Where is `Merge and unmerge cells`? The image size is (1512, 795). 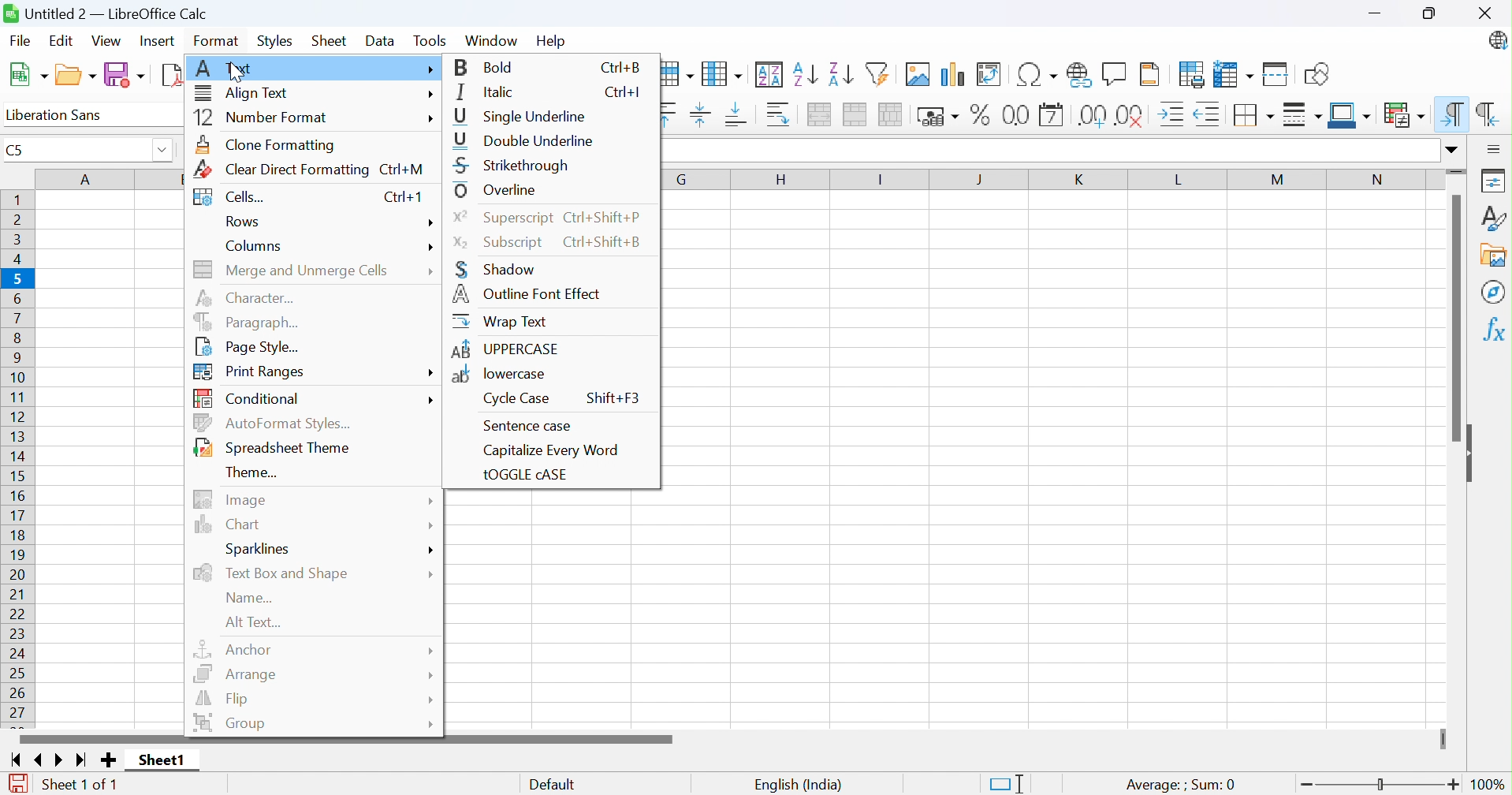 Merge and unmerge cells is located at coordinates (294, 269).